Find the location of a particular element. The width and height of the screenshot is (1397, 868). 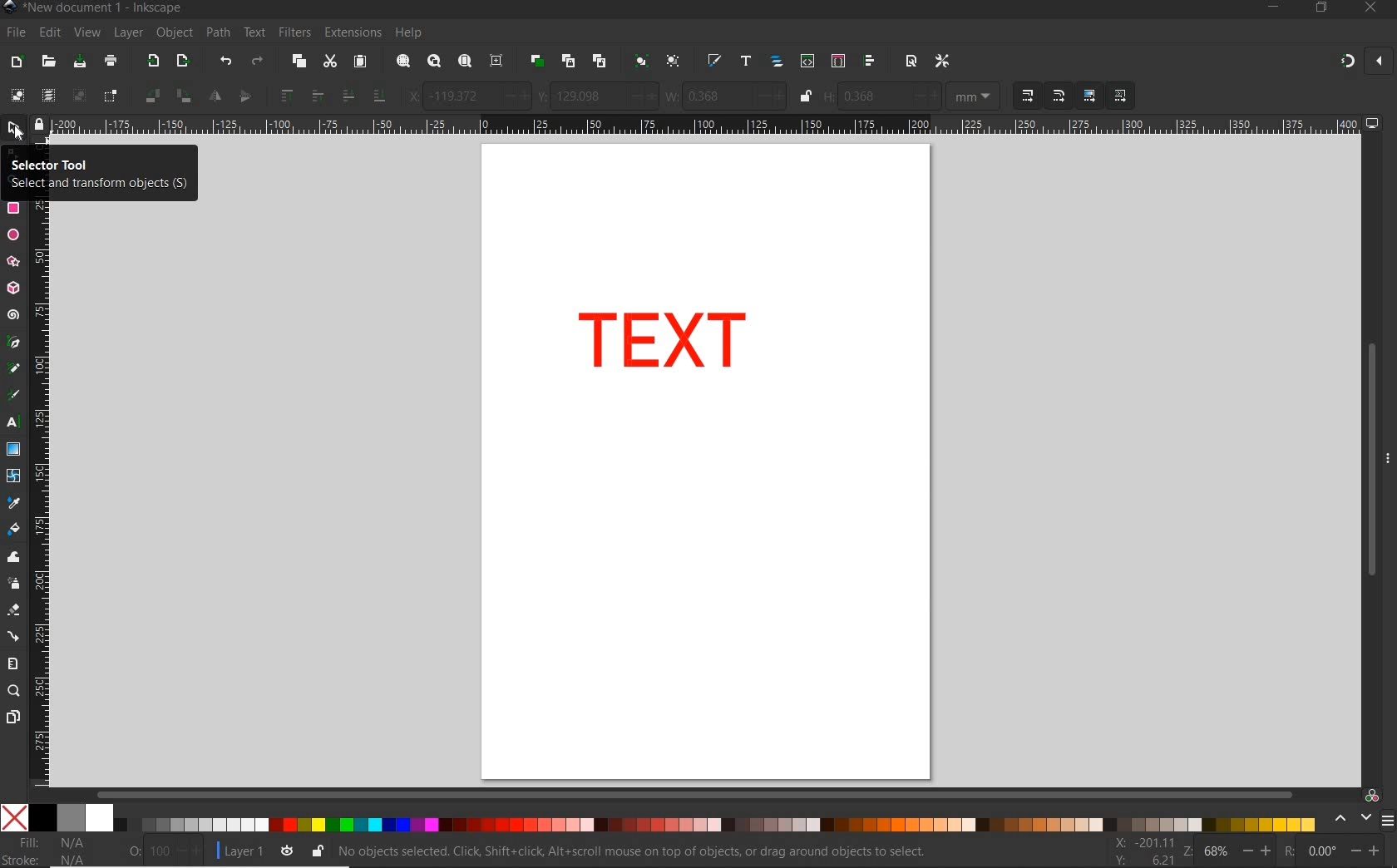

ZOOM is located at coordinates (1228, 850).